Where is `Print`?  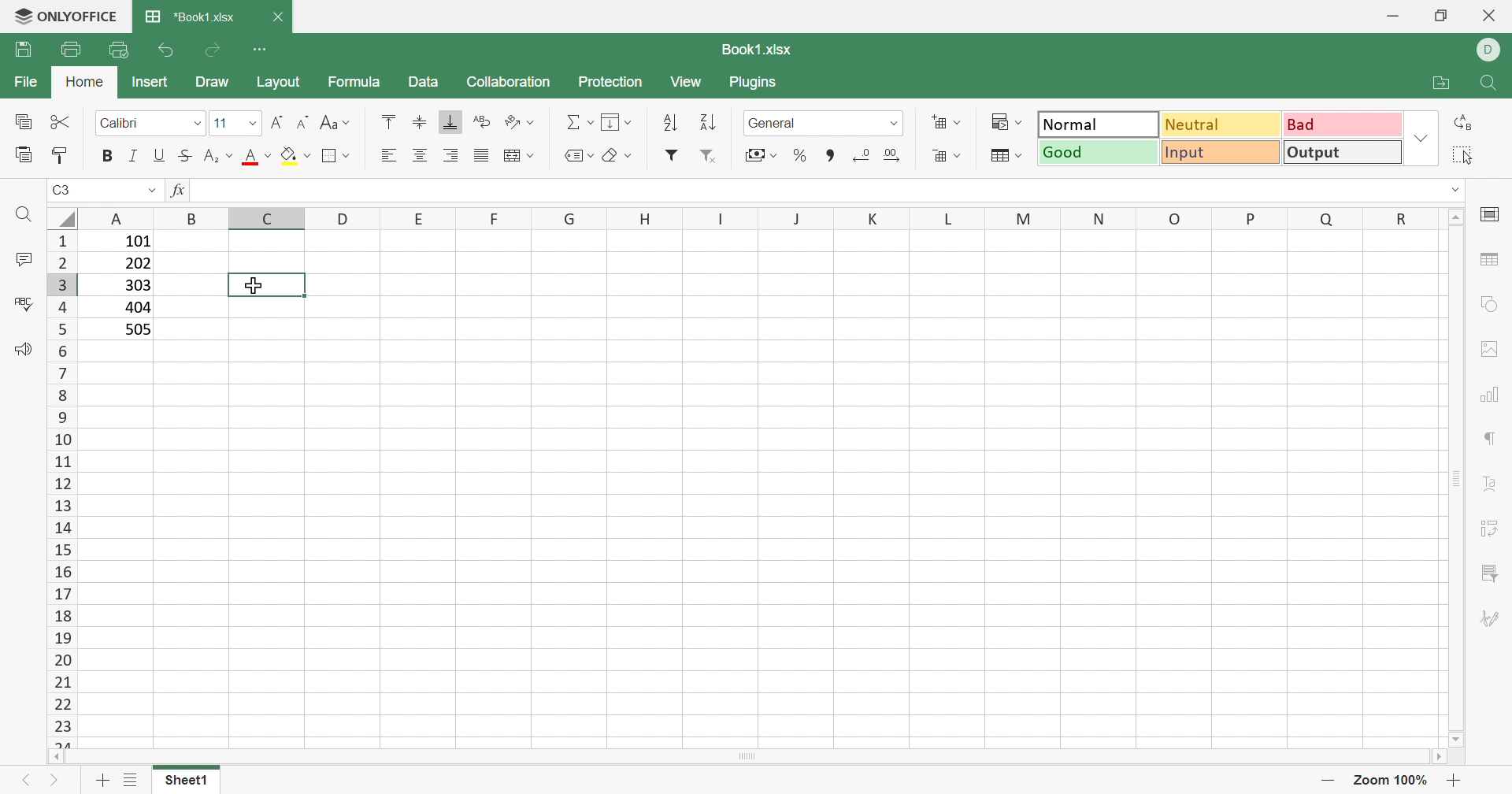
Print is located at coordinates (72, 48).